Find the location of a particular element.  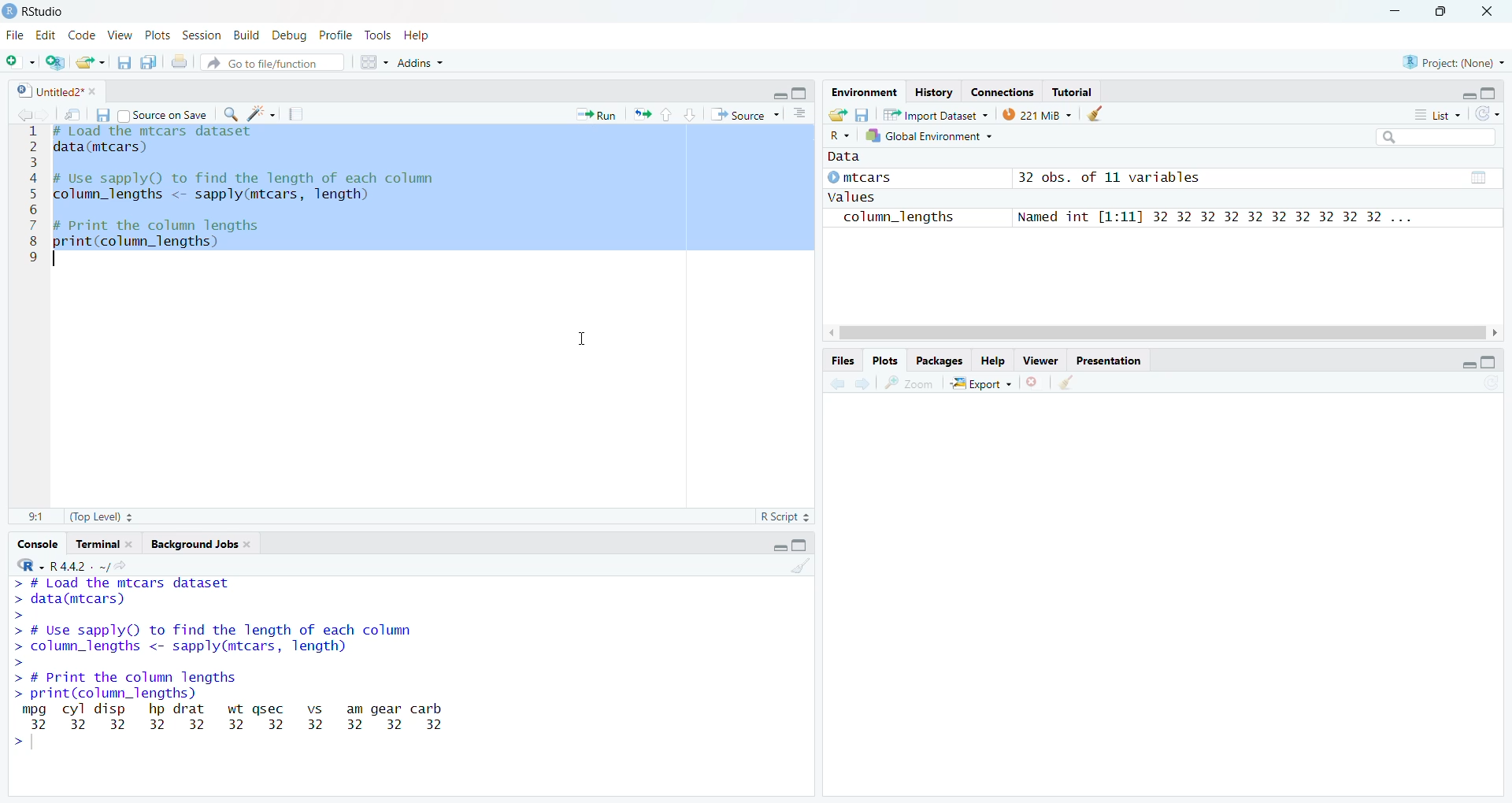

Re run the previous code is located at coordinates (641, 113).